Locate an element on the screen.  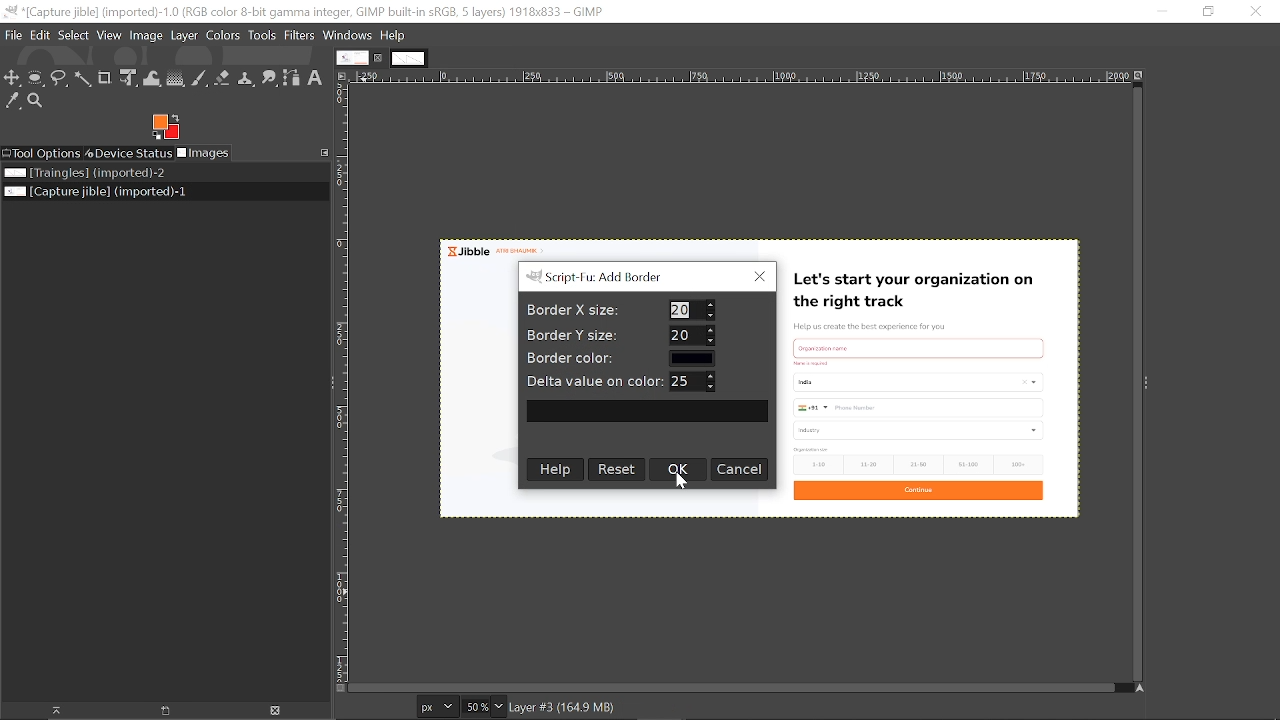
Move tool is located at coordinates (13, 78).